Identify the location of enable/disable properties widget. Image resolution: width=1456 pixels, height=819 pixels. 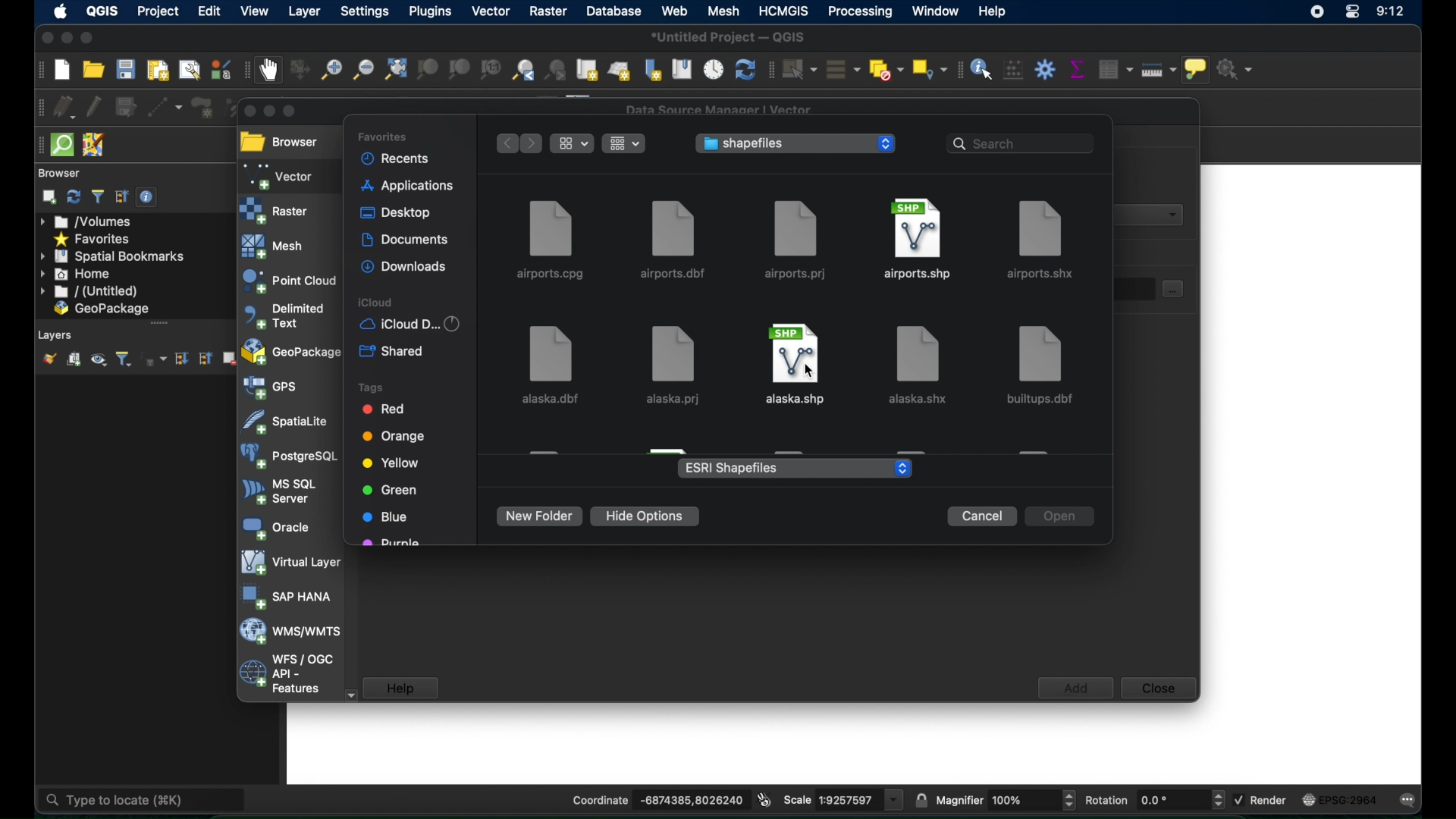
(149, 199).